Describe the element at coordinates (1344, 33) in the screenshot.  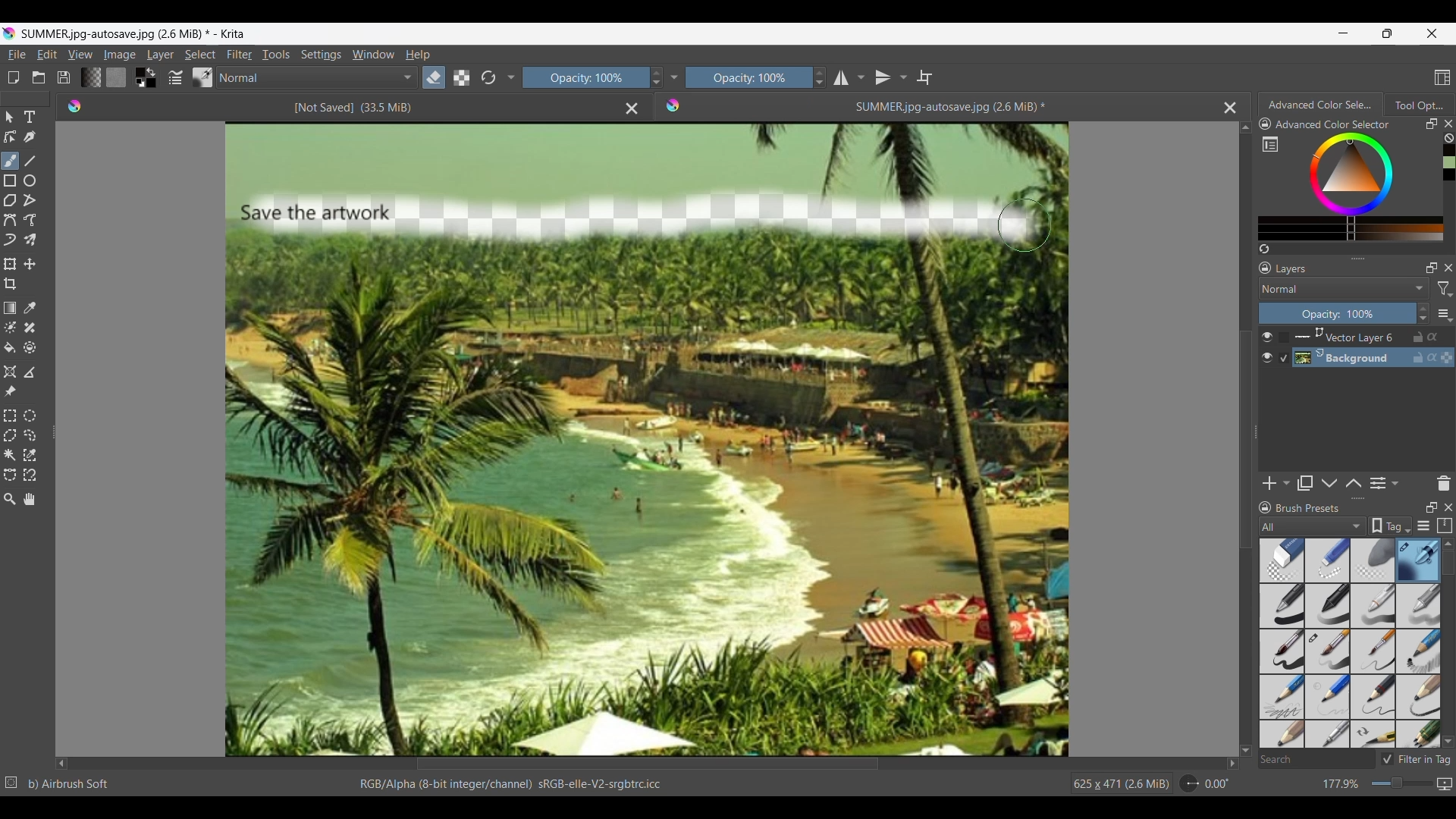
I see `Minimize` at that location.